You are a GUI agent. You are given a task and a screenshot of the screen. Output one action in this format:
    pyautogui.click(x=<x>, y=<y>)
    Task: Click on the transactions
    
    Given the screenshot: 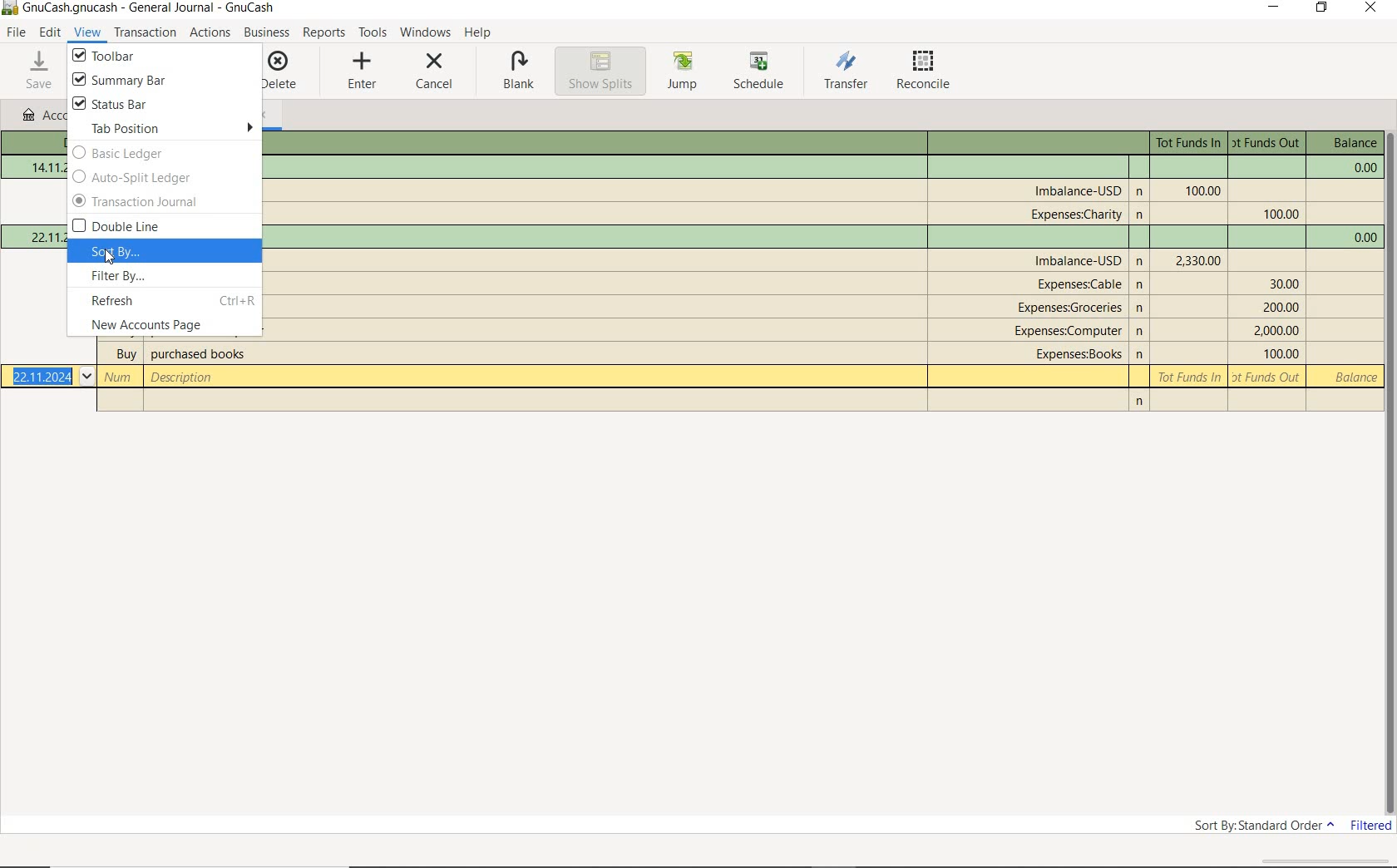 What is the action you would take?
    pyautogui.click(x=147, y=33)
    